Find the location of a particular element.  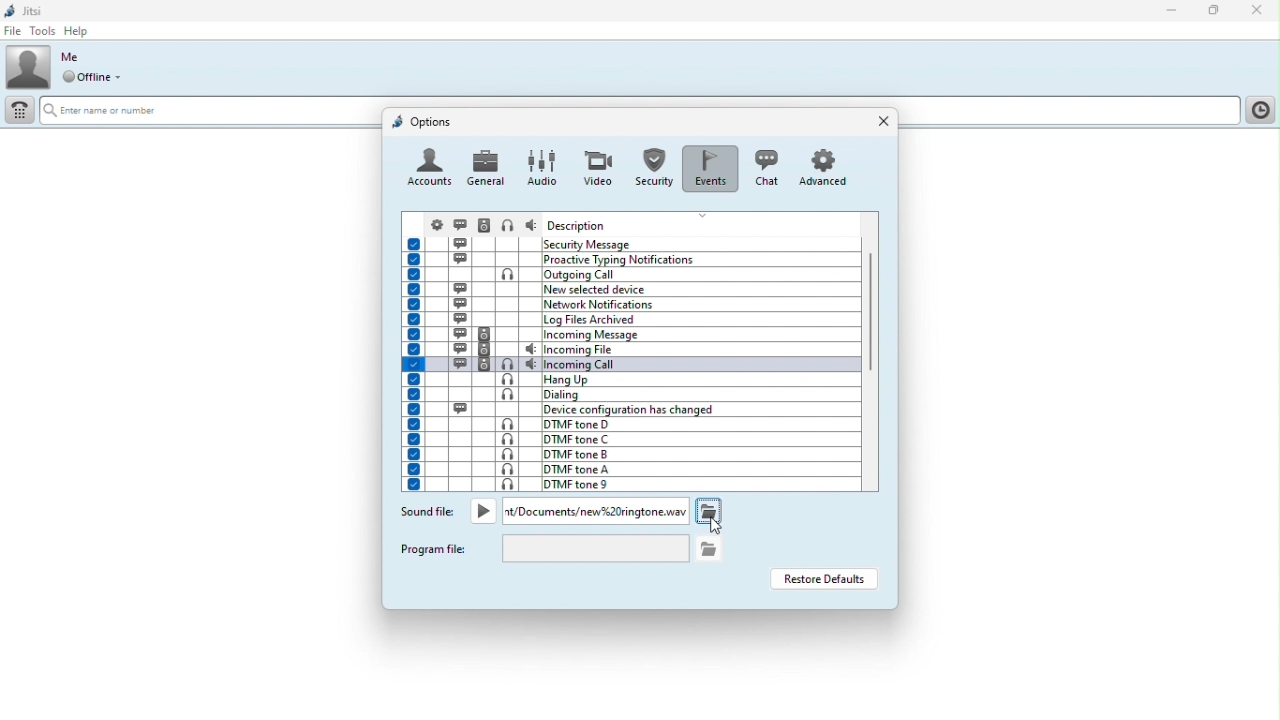

DTMF tone 9 is located at coordinates (626, 484).